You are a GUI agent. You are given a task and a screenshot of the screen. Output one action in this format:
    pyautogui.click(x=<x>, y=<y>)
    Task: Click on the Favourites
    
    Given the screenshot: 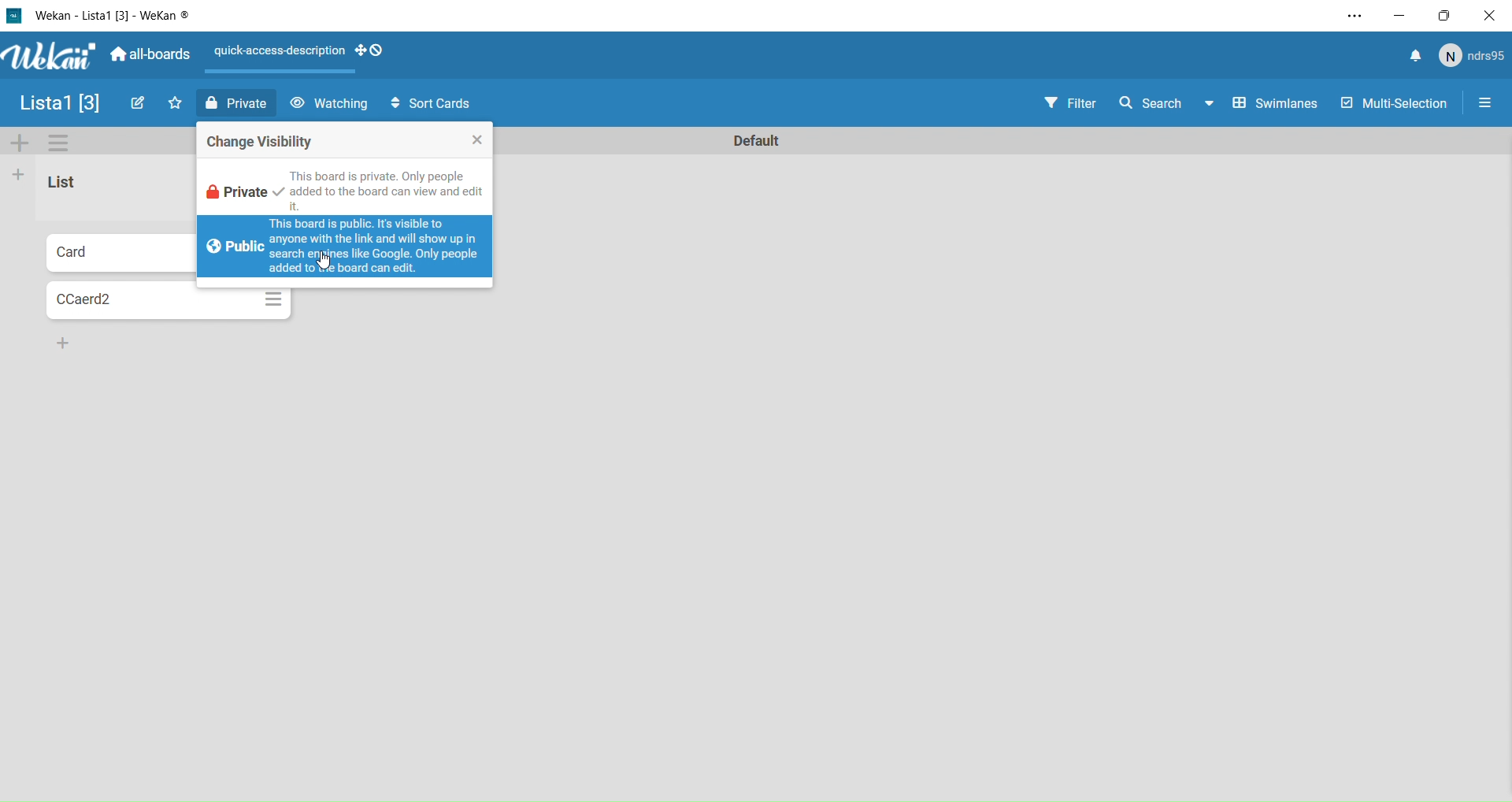 What is the action you would take?
    pyautogui.click(x=175, y=104)
    